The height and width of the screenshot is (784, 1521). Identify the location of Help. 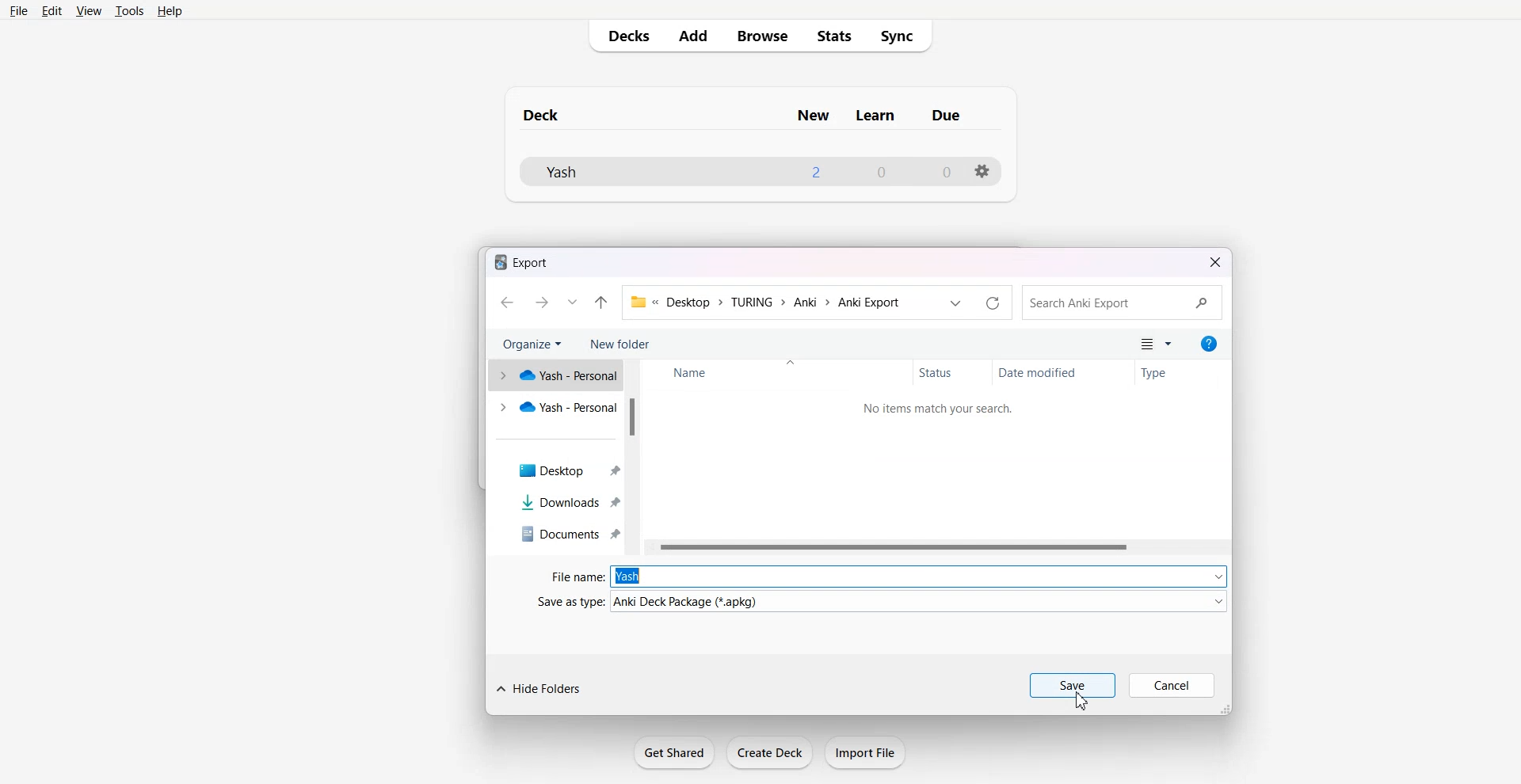
(173, 12).